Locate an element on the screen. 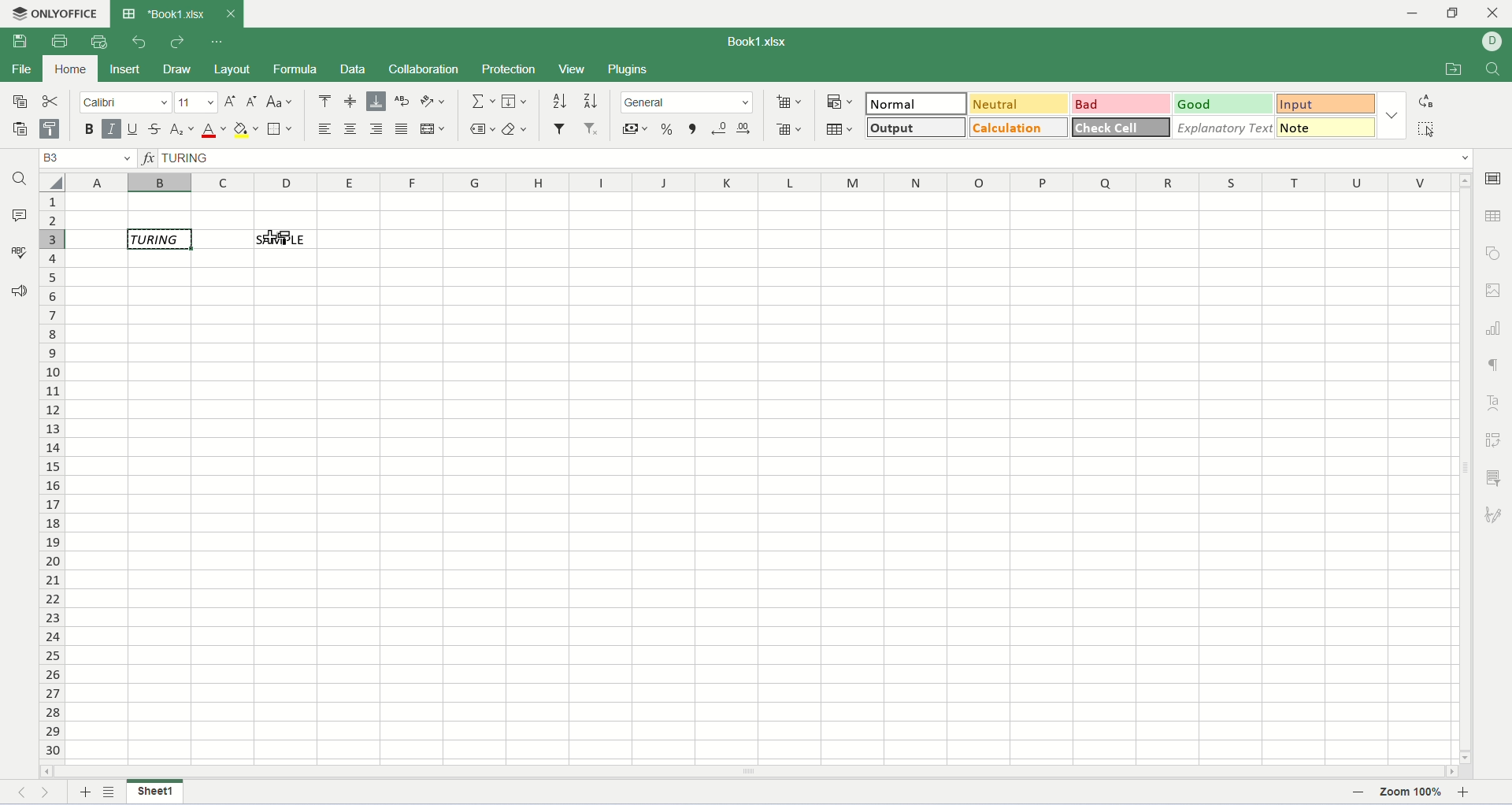 This screenshot has height=805, width=1512. subscript is located at coordinates (183, 130).